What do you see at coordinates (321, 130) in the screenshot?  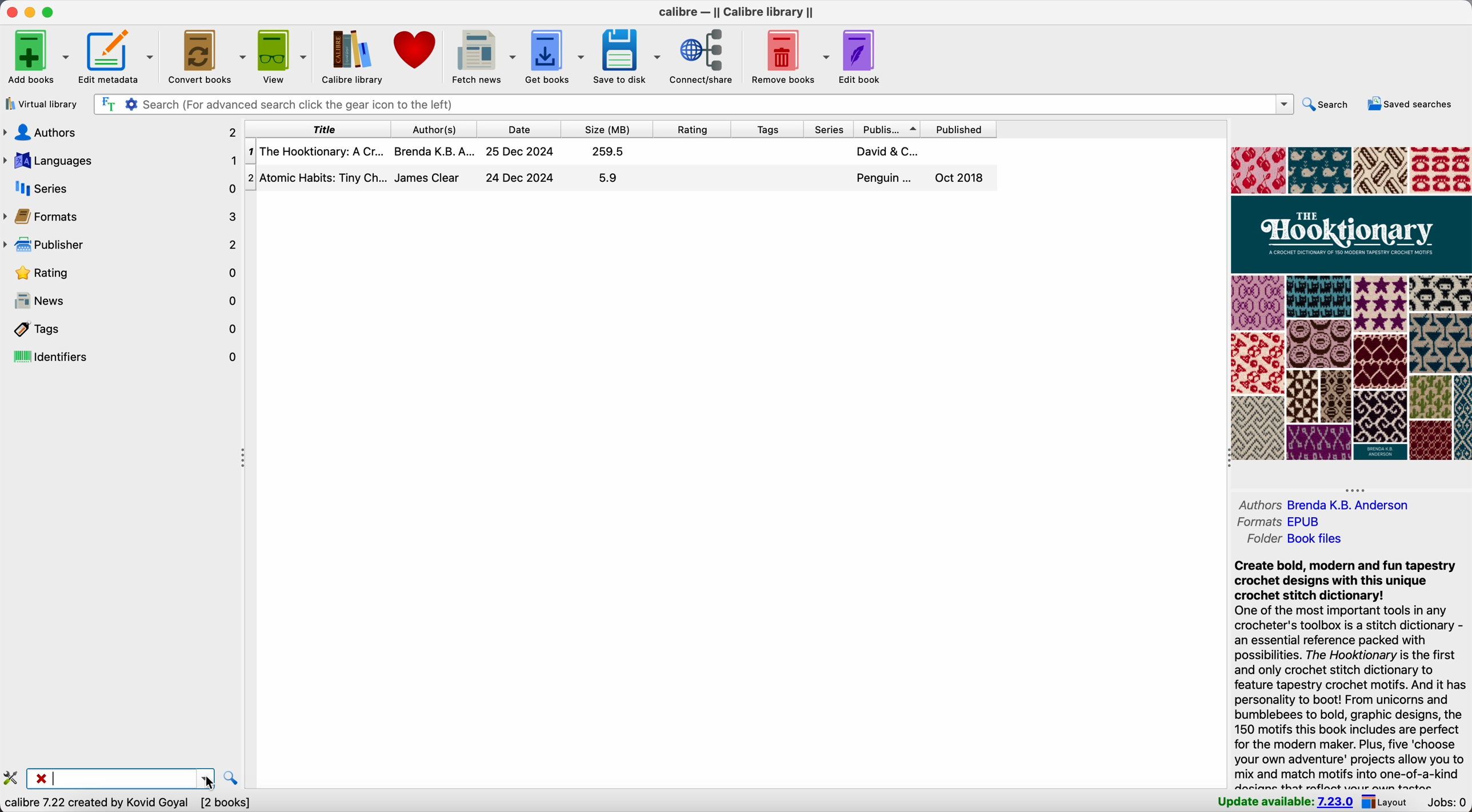 I see `title` at bounding box center [321, 130].